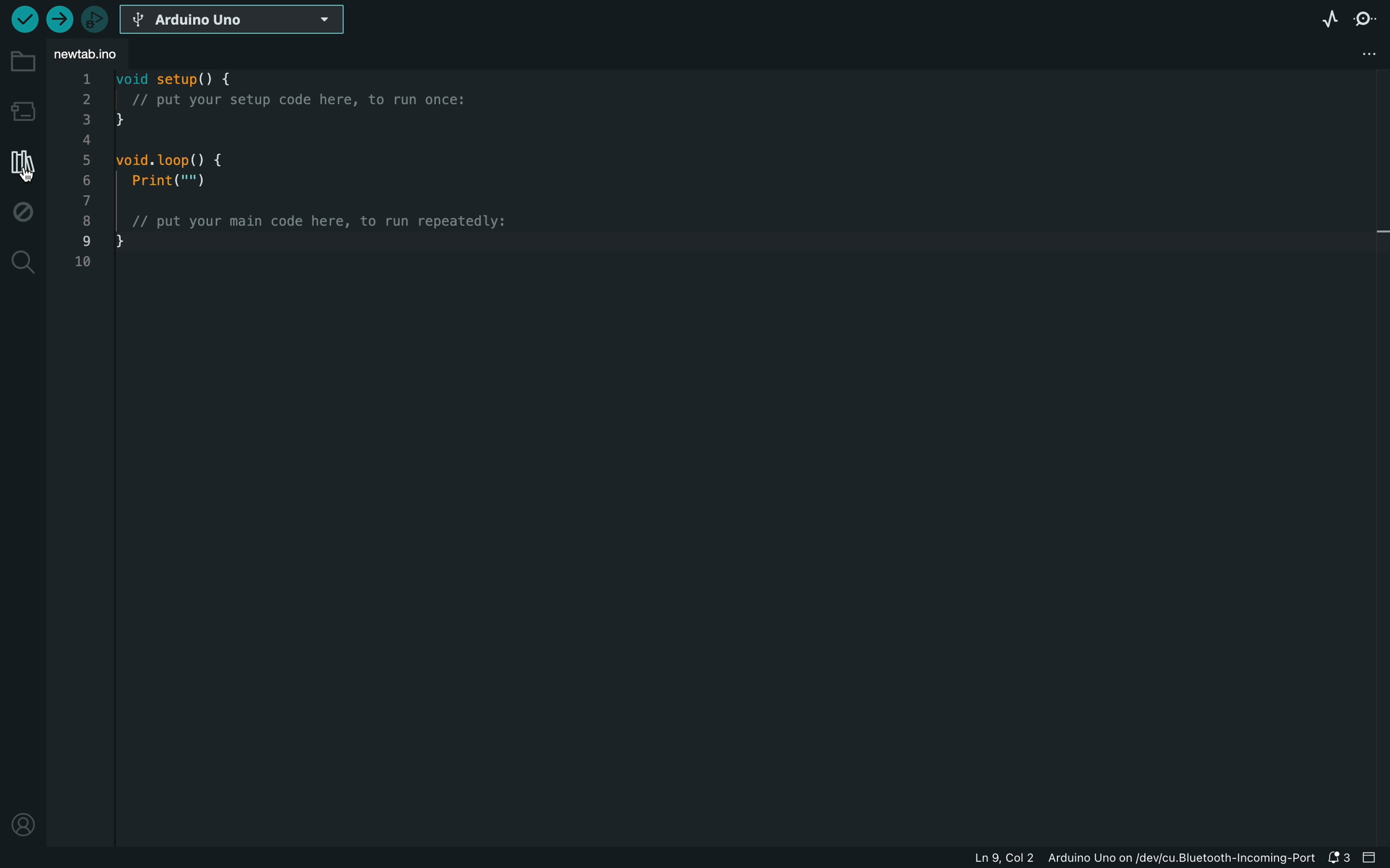  I want to click on serial monitor, so click(1368, 18).